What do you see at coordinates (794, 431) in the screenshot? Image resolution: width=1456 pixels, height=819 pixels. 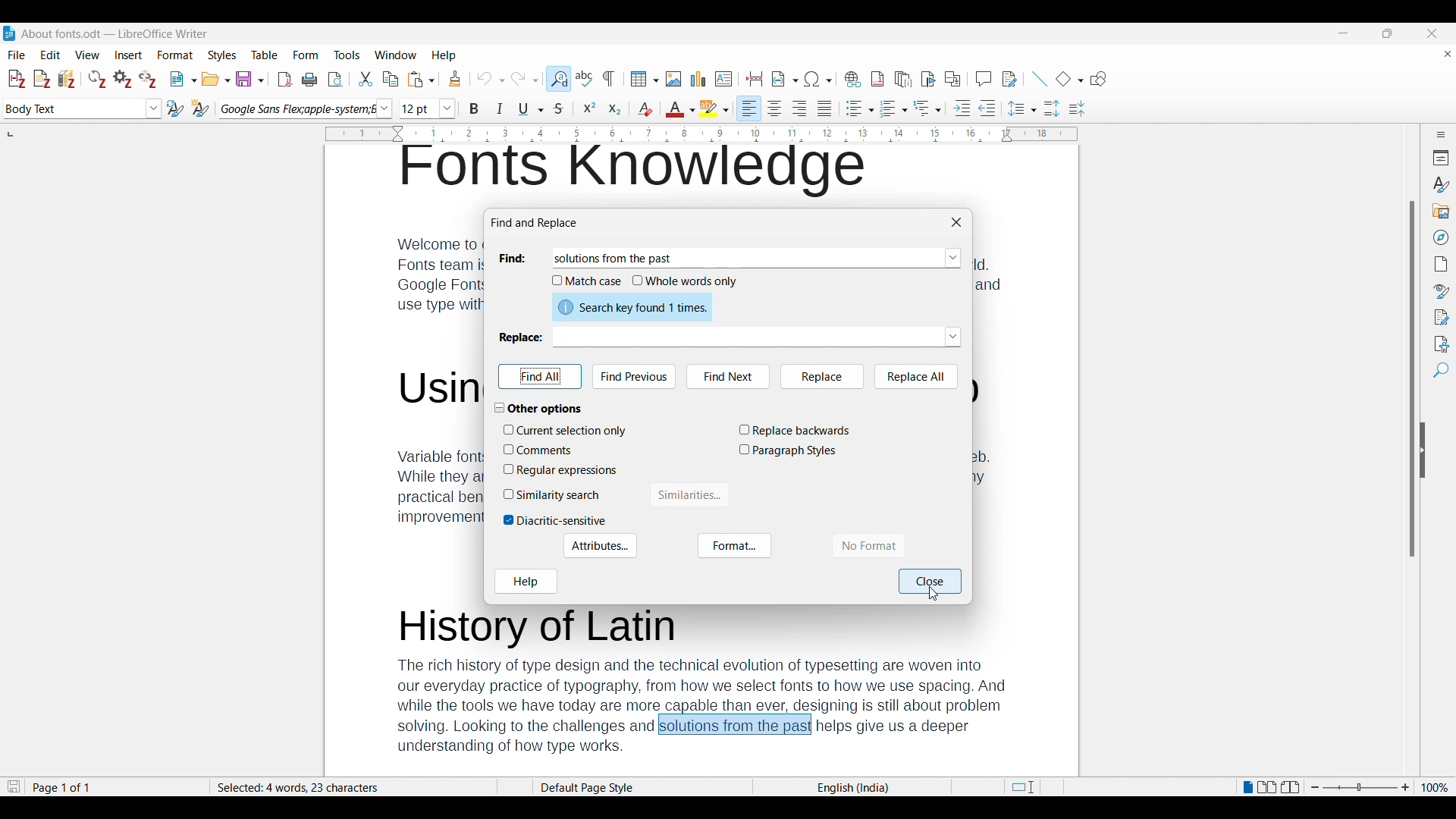 I see `Toggle for Replace backwards` at bounding box center [794, 431].